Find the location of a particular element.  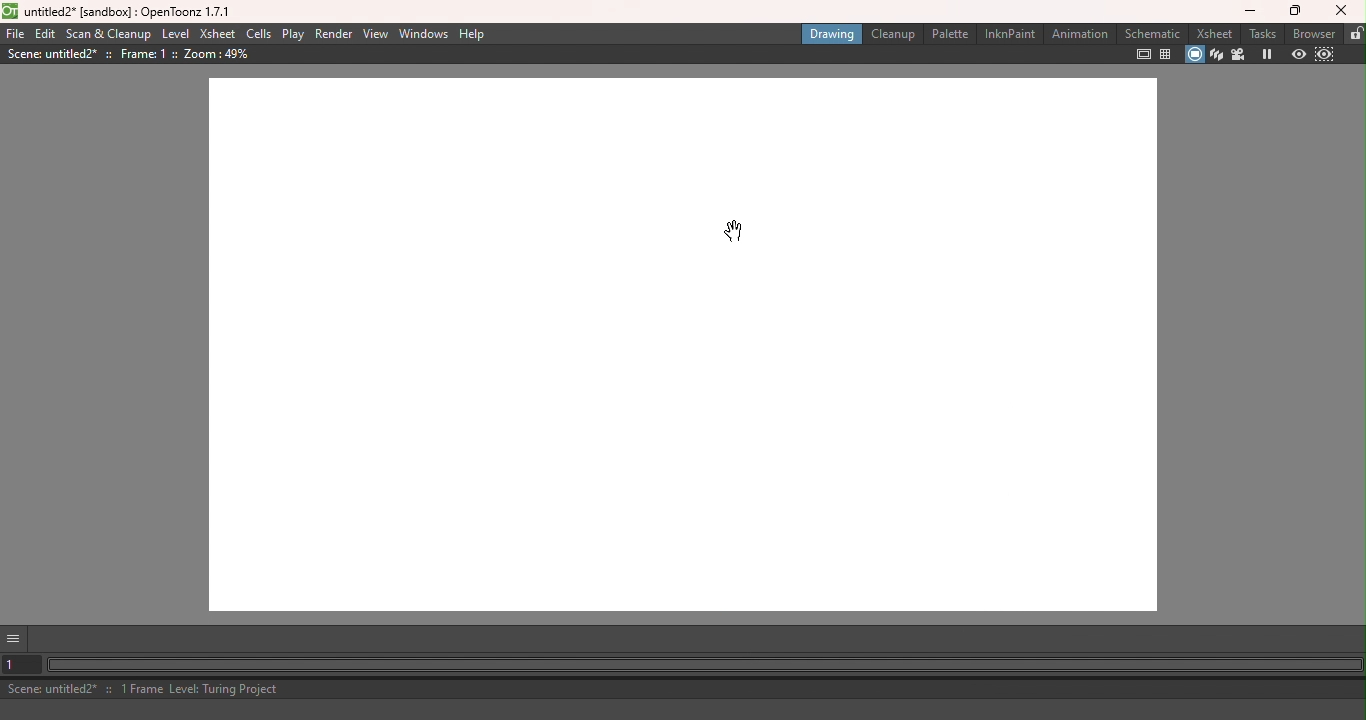

Windows is located at coordinates (425, 34).